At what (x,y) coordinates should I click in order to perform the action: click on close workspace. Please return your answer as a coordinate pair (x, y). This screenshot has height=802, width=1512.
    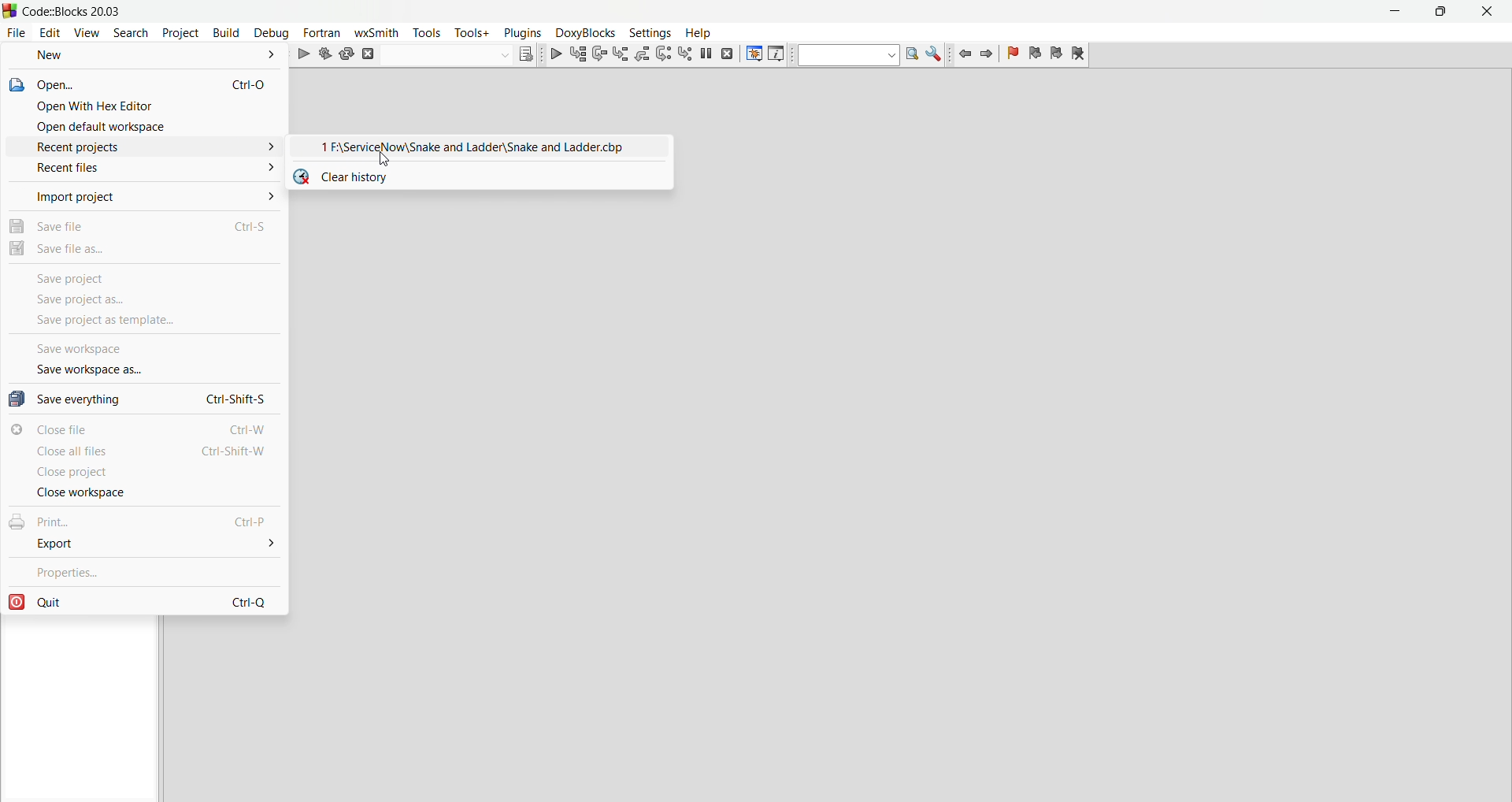
    Looking at the image, I should click on (146, 493).